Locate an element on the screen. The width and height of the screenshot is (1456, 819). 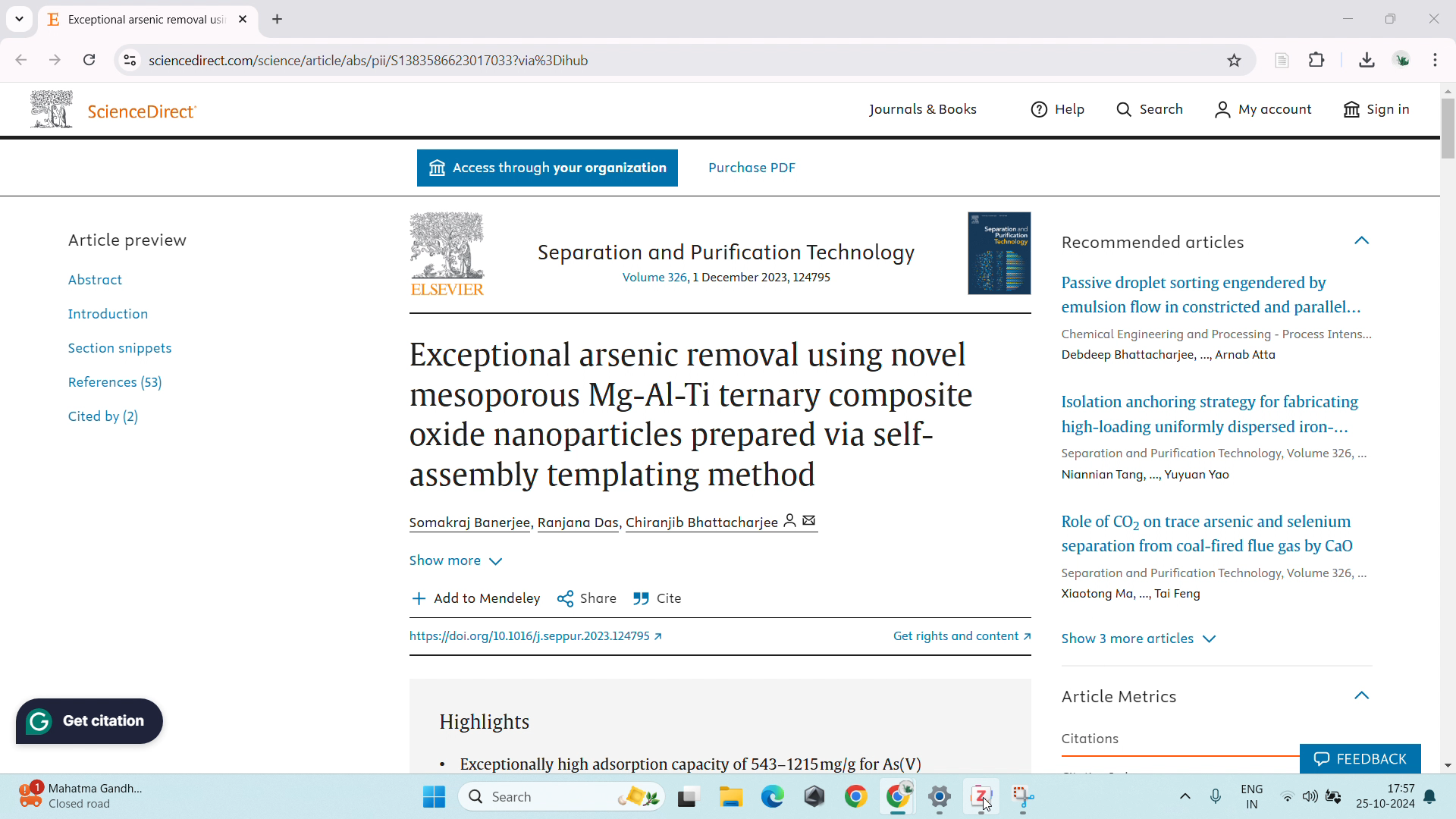
search for tabs is located at coordinates (19, 19).